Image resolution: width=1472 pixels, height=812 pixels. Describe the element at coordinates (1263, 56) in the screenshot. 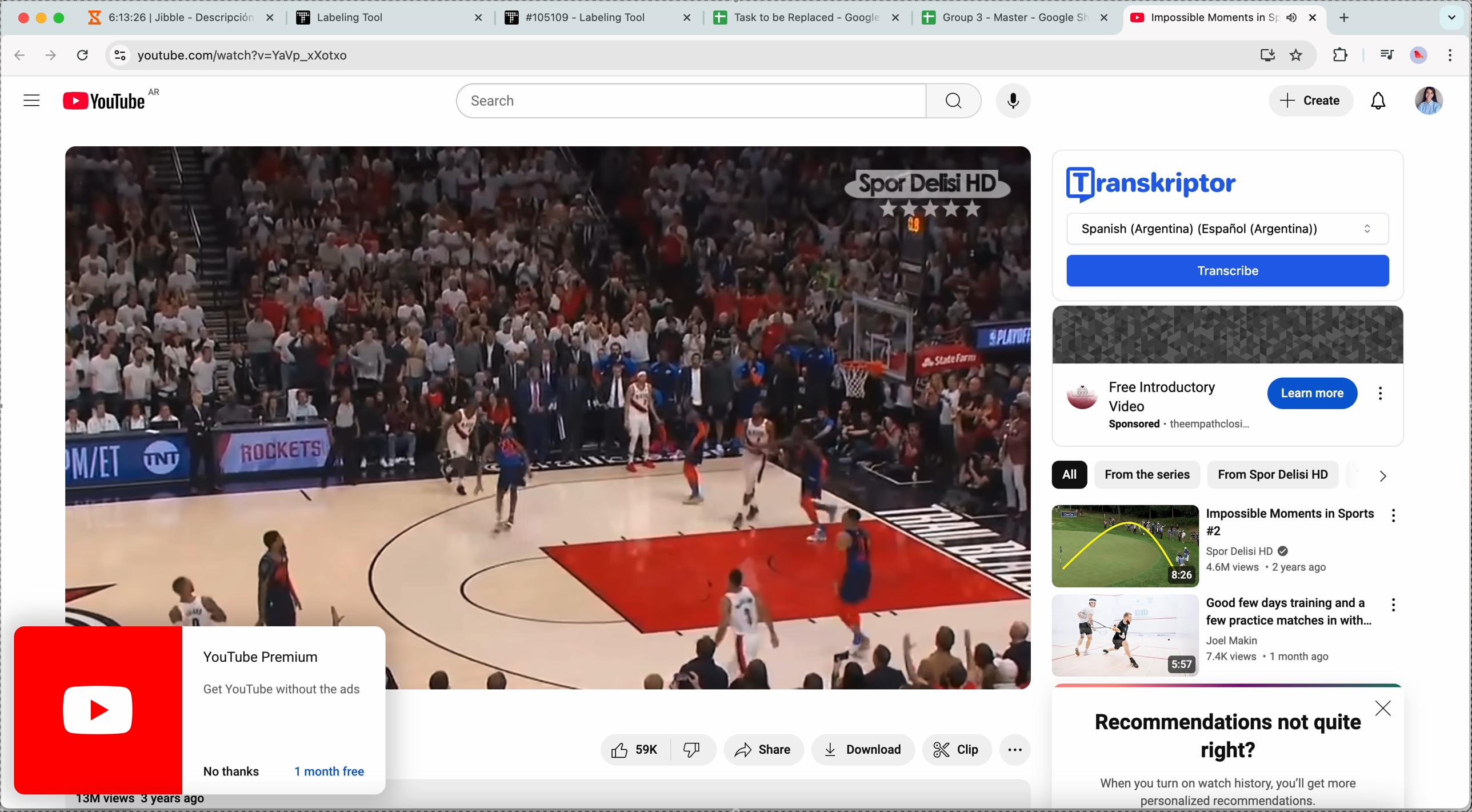

I see `install YouTube` at that location.